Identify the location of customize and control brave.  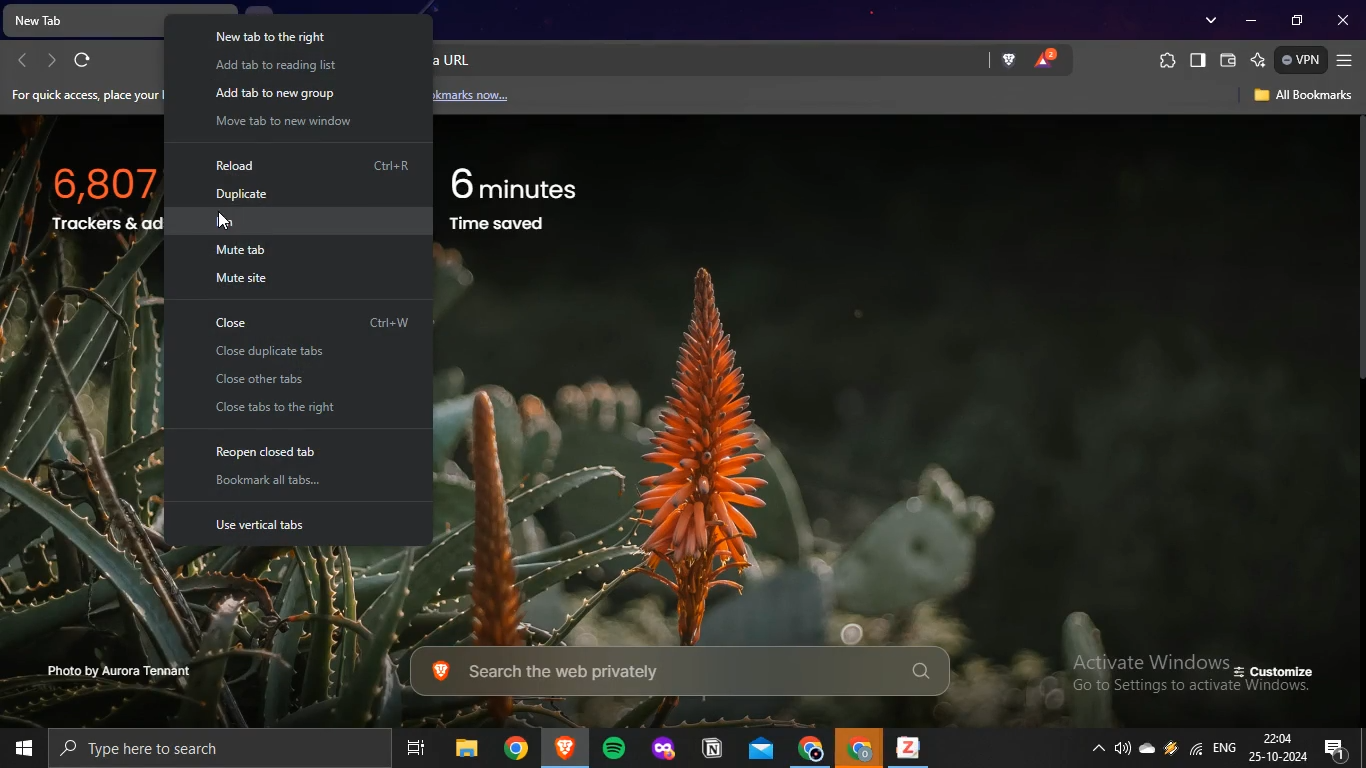
(1346, 62).